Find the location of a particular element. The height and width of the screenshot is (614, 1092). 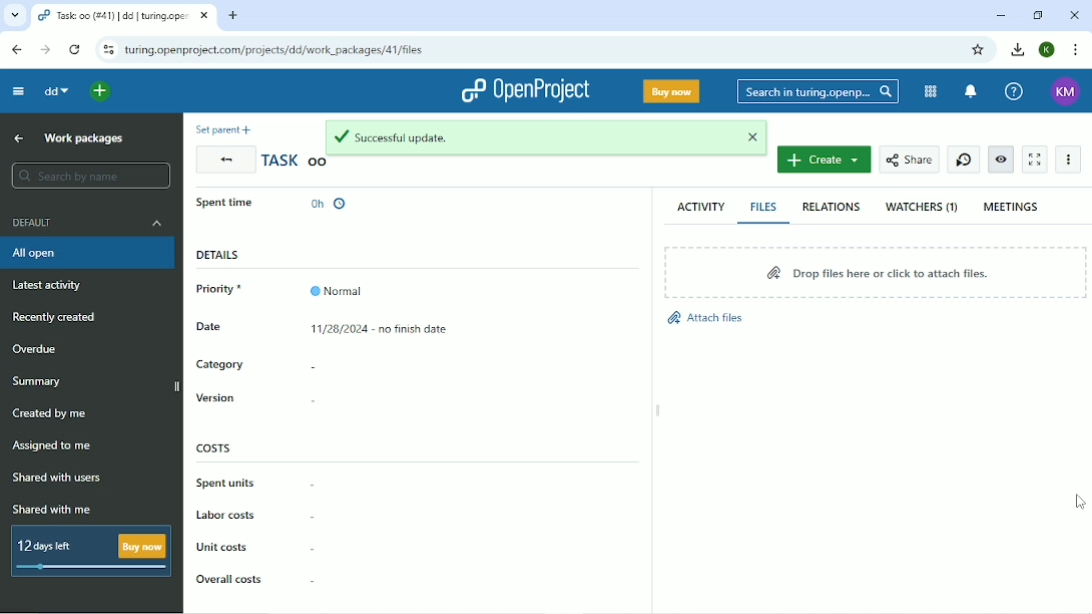

Drop files here or click to attach files. is located at coordinates (876, 271).